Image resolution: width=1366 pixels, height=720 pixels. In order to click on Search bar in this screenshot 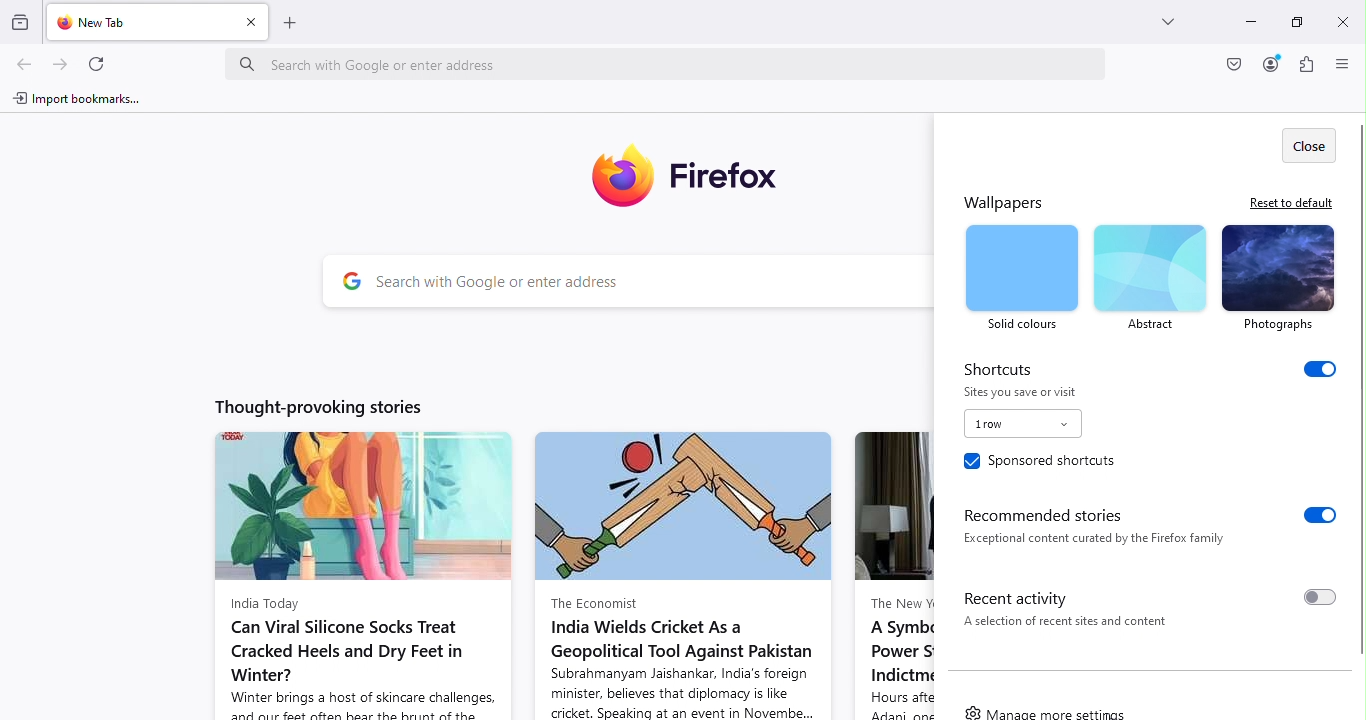, I will do `click(649, 280)`.